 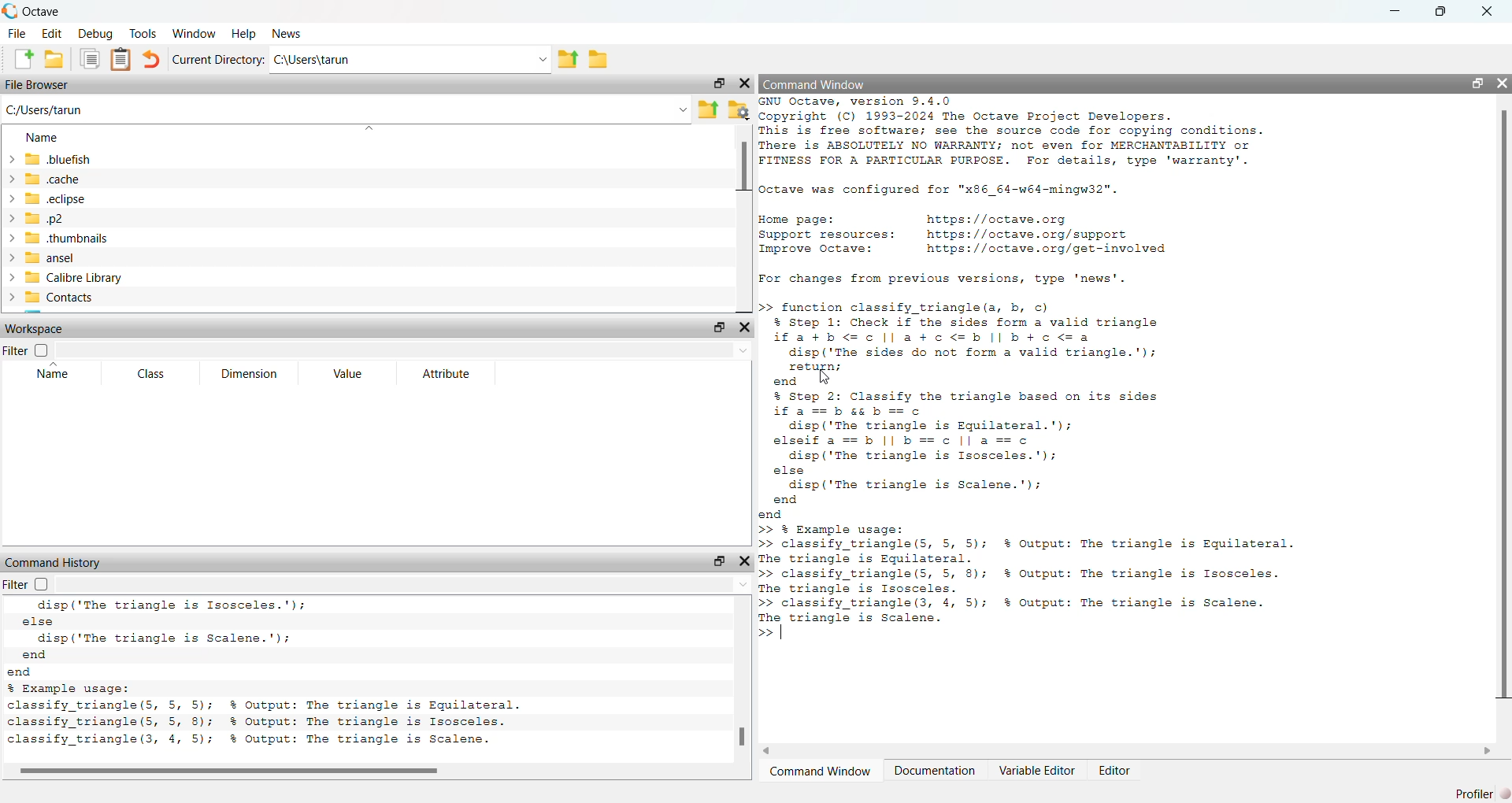 I want to click on logo, so click(x=9, y=10).